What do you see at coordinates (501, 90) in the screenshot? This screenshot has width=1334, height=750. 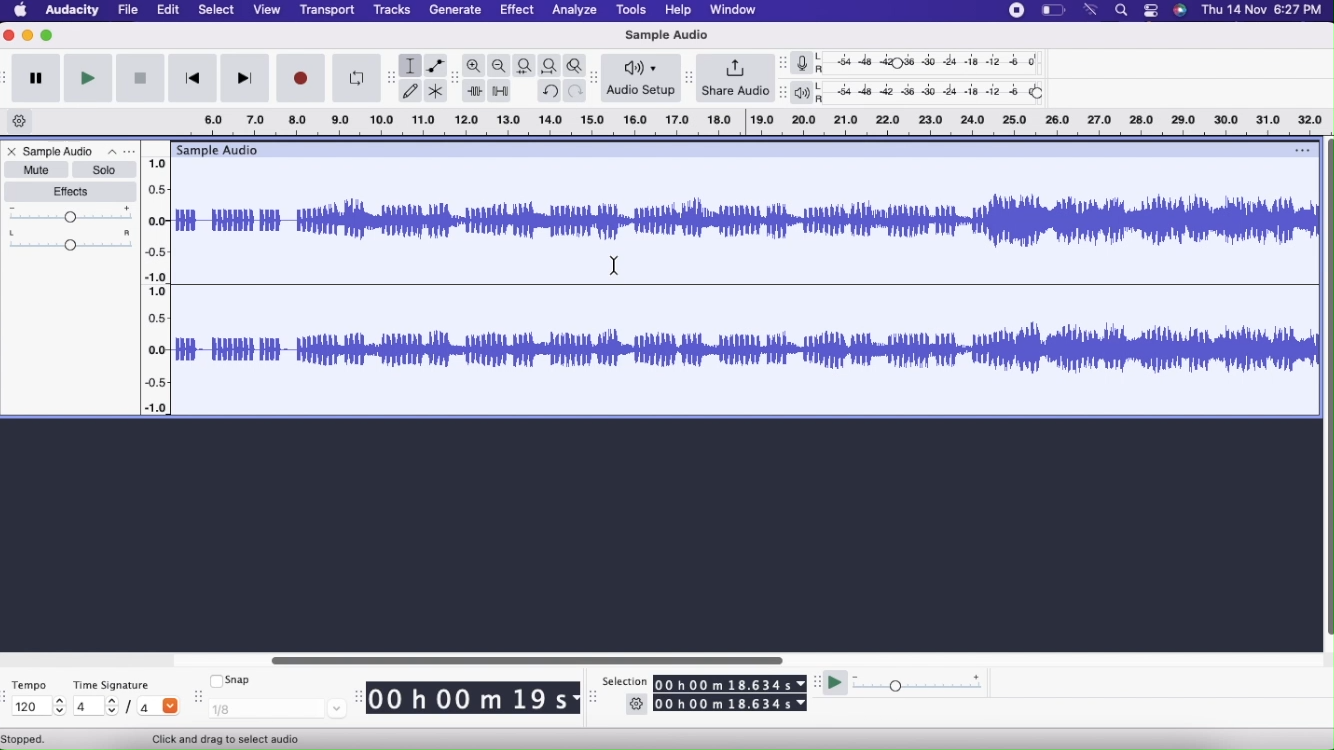 I see `Silence audio selection` at bounding box center [501, 90].